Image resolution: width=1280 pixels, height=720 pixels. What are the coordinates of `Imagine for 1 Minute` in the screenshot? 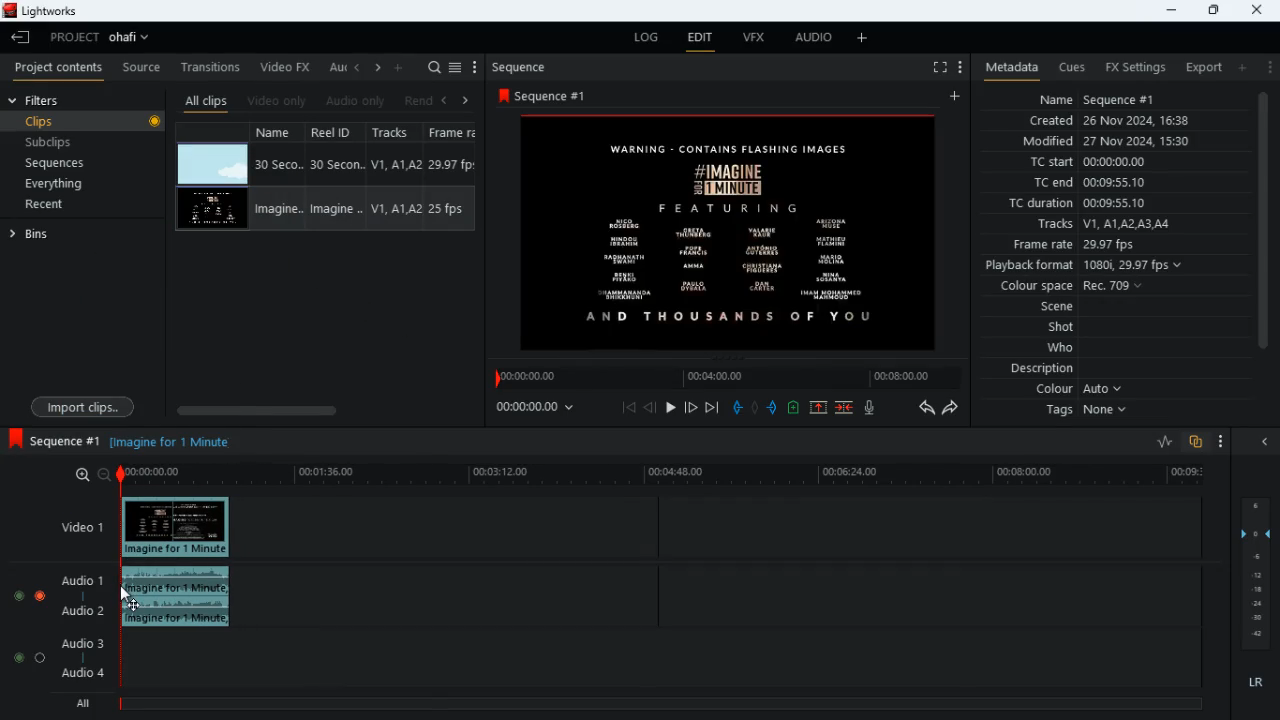 It's located at (173, 441).